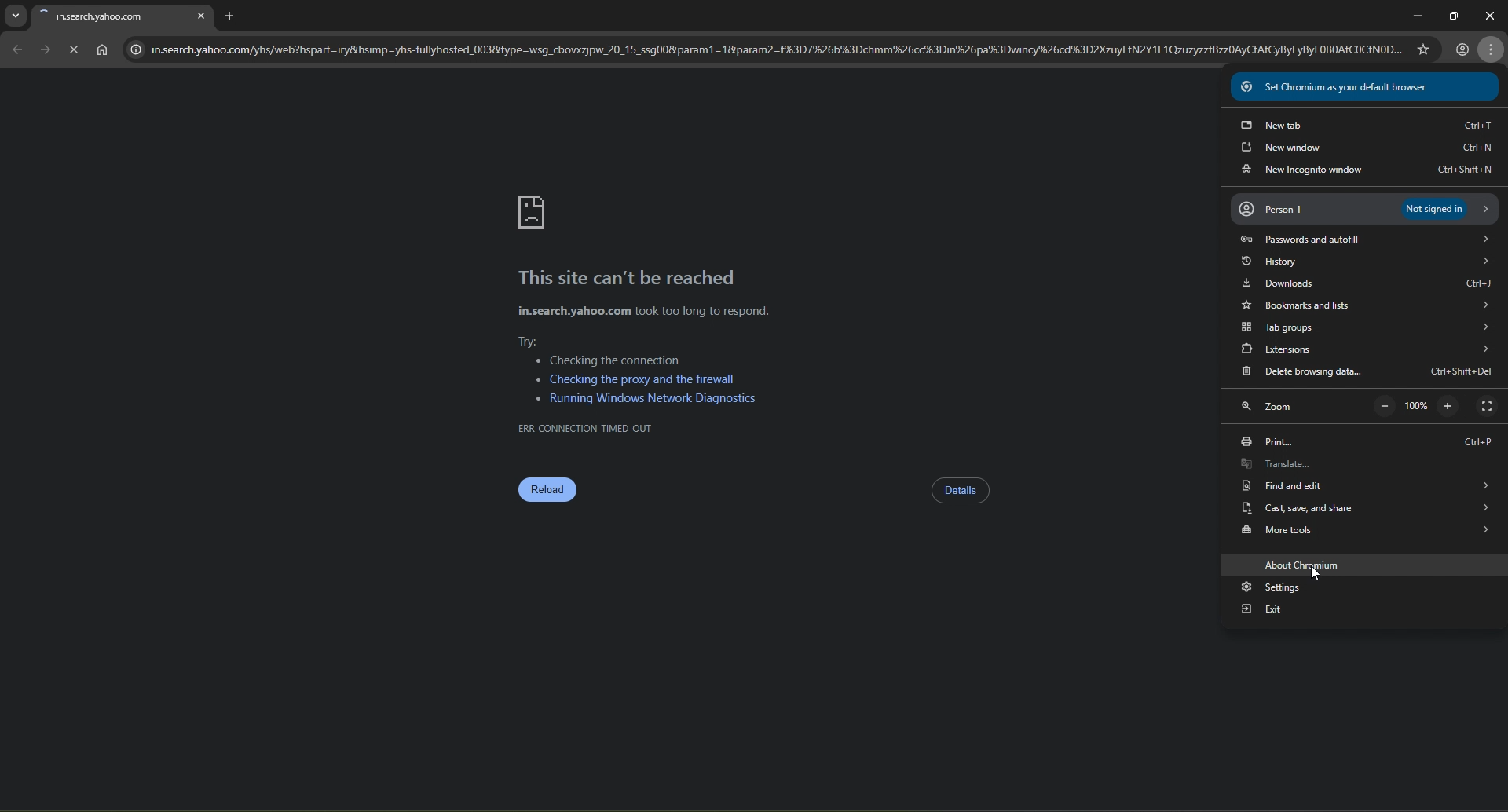 The height and width of the screenshot is (812, 1508). What do you see at coordinates (534, 213) in the screenshot?
I see `logo` at bounding box center [534, 213].